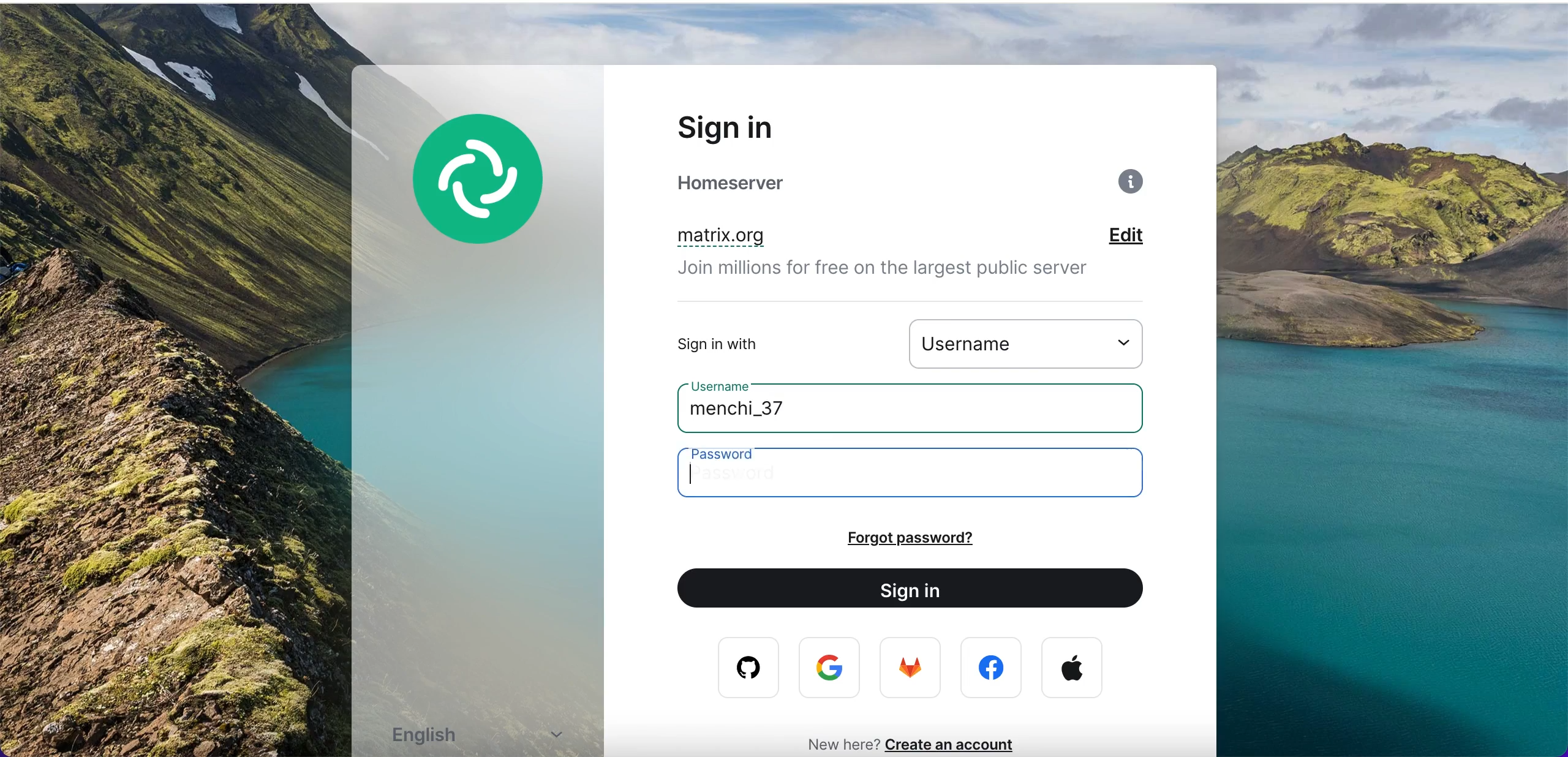 Image resolution: width=1568 pixels, height=757 pixels. I want to click on matrix.org, so click(784, 238).